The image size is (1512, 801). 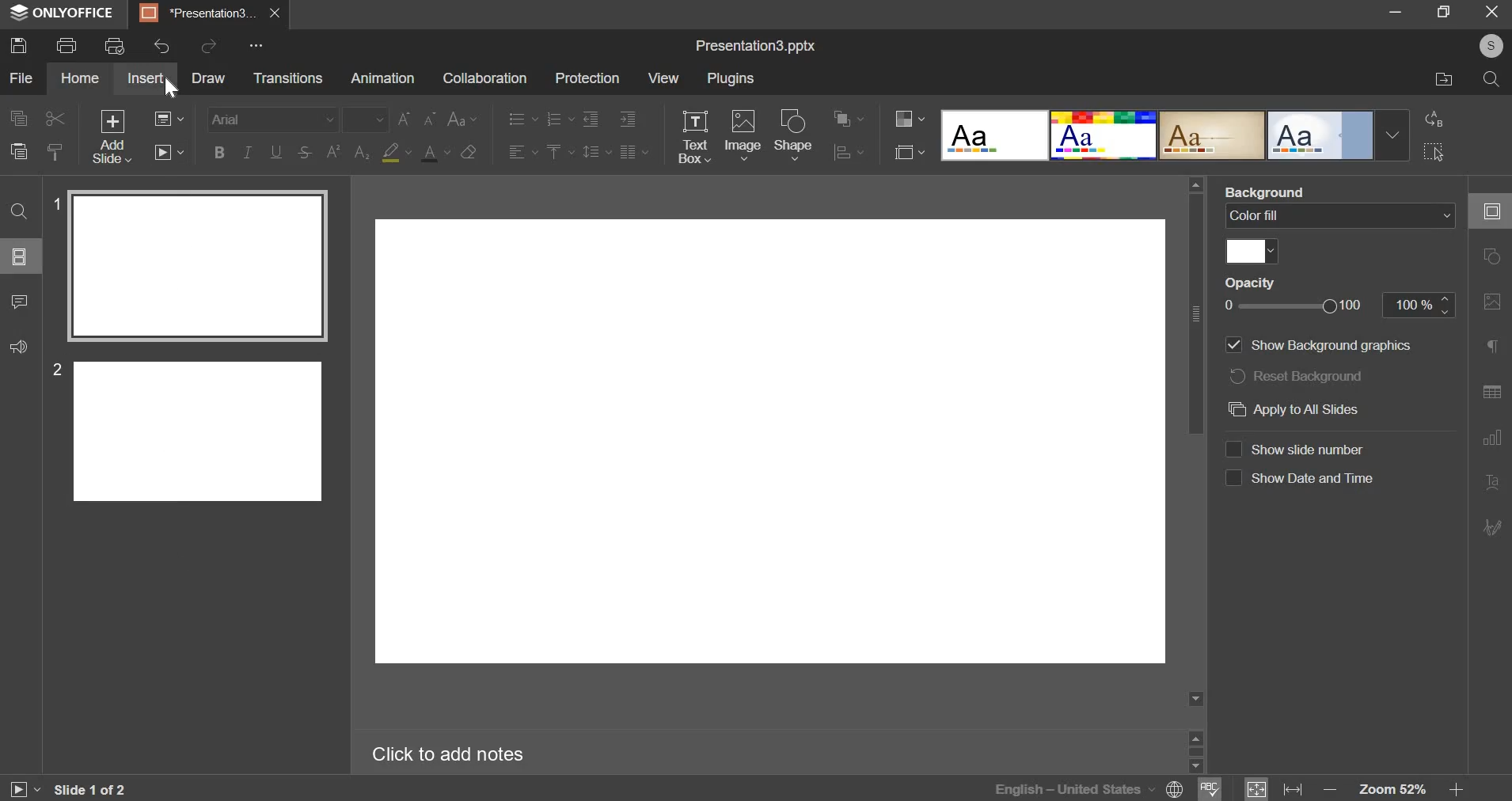 I want to click on print preview, so click(x=115, y=45).